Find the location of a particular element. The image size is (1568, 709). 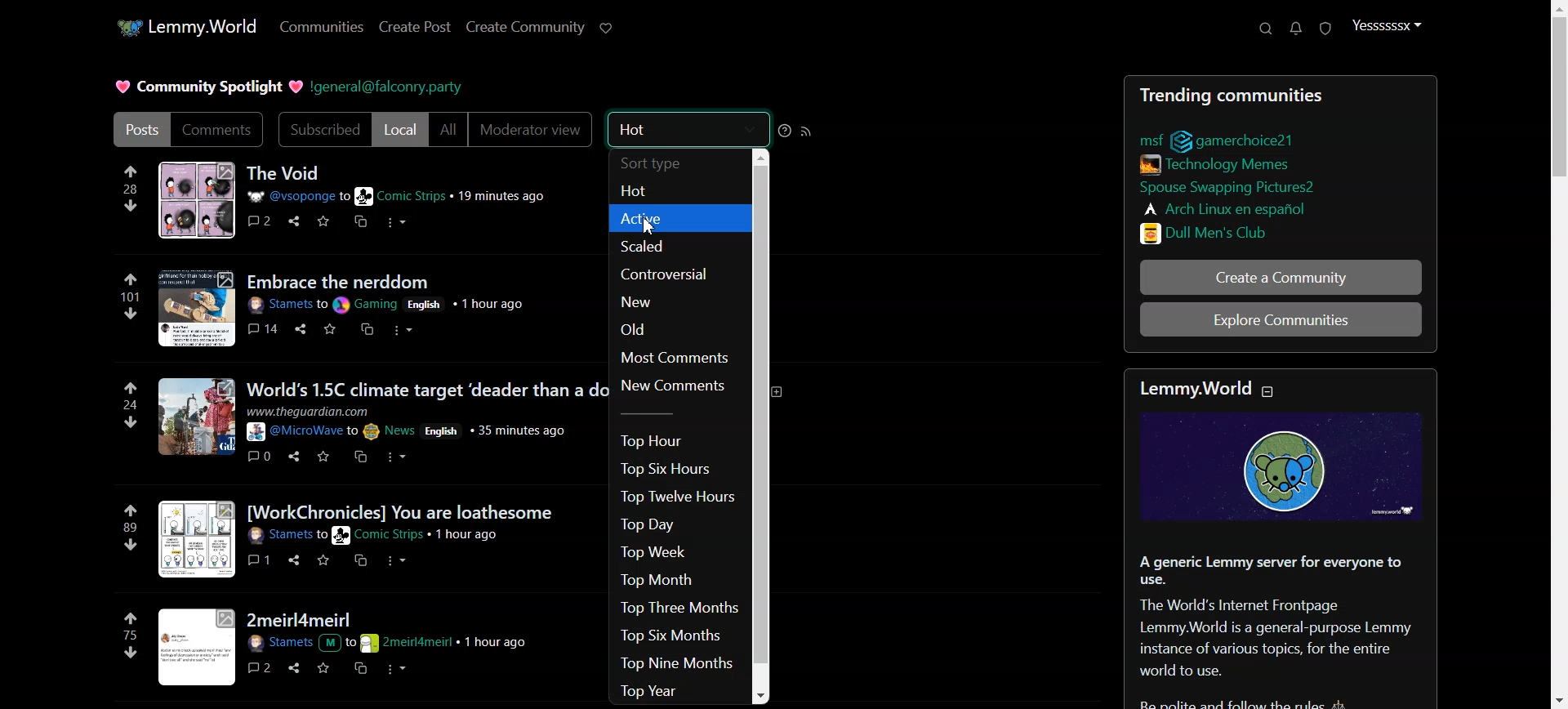

Posts is located at coordinates (1279, 96).